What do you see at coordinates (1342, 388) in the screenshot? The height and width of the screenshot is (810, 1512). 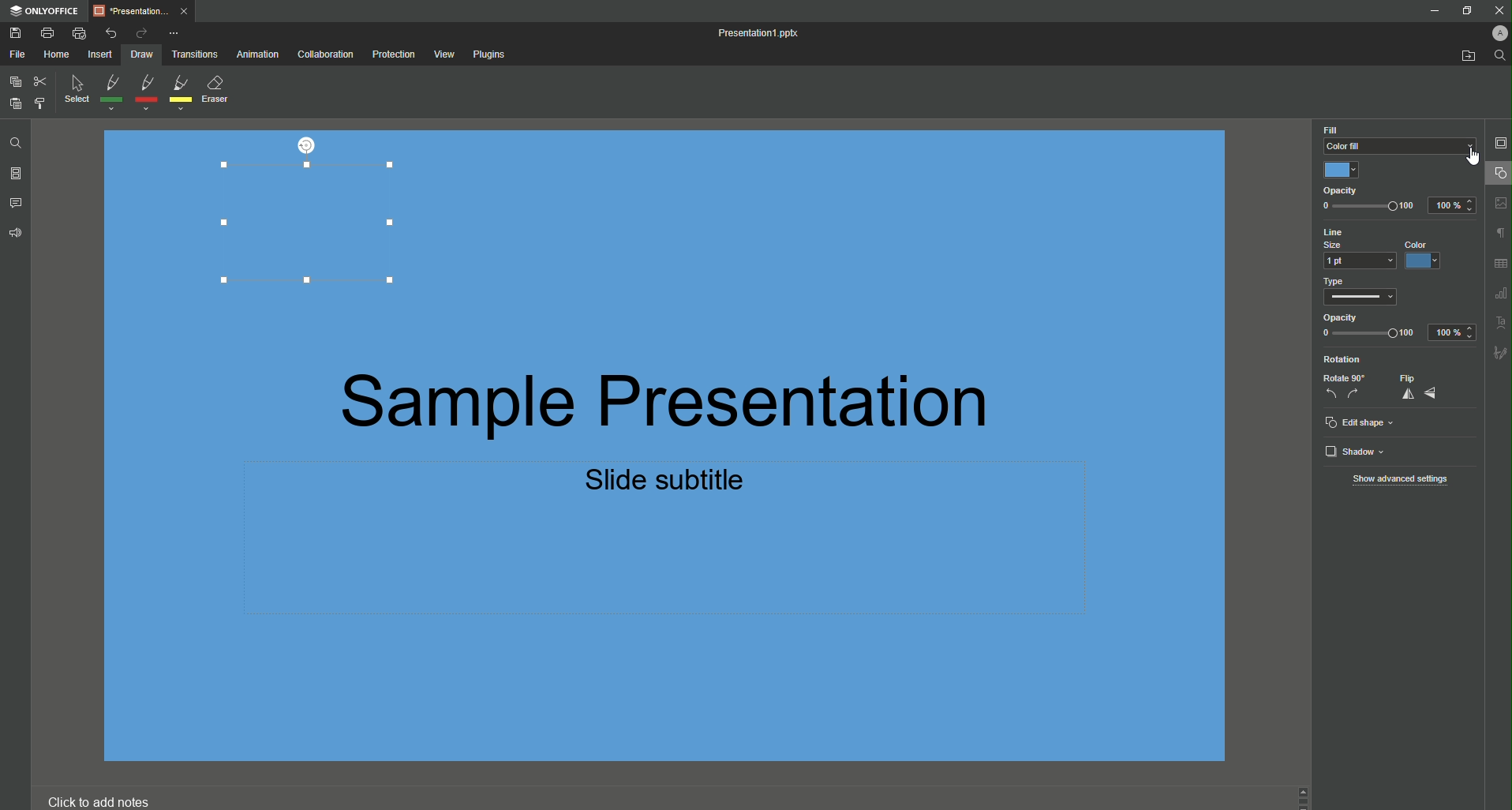 I see `Rotate 90 deg` at bounding box center [1342, 388].